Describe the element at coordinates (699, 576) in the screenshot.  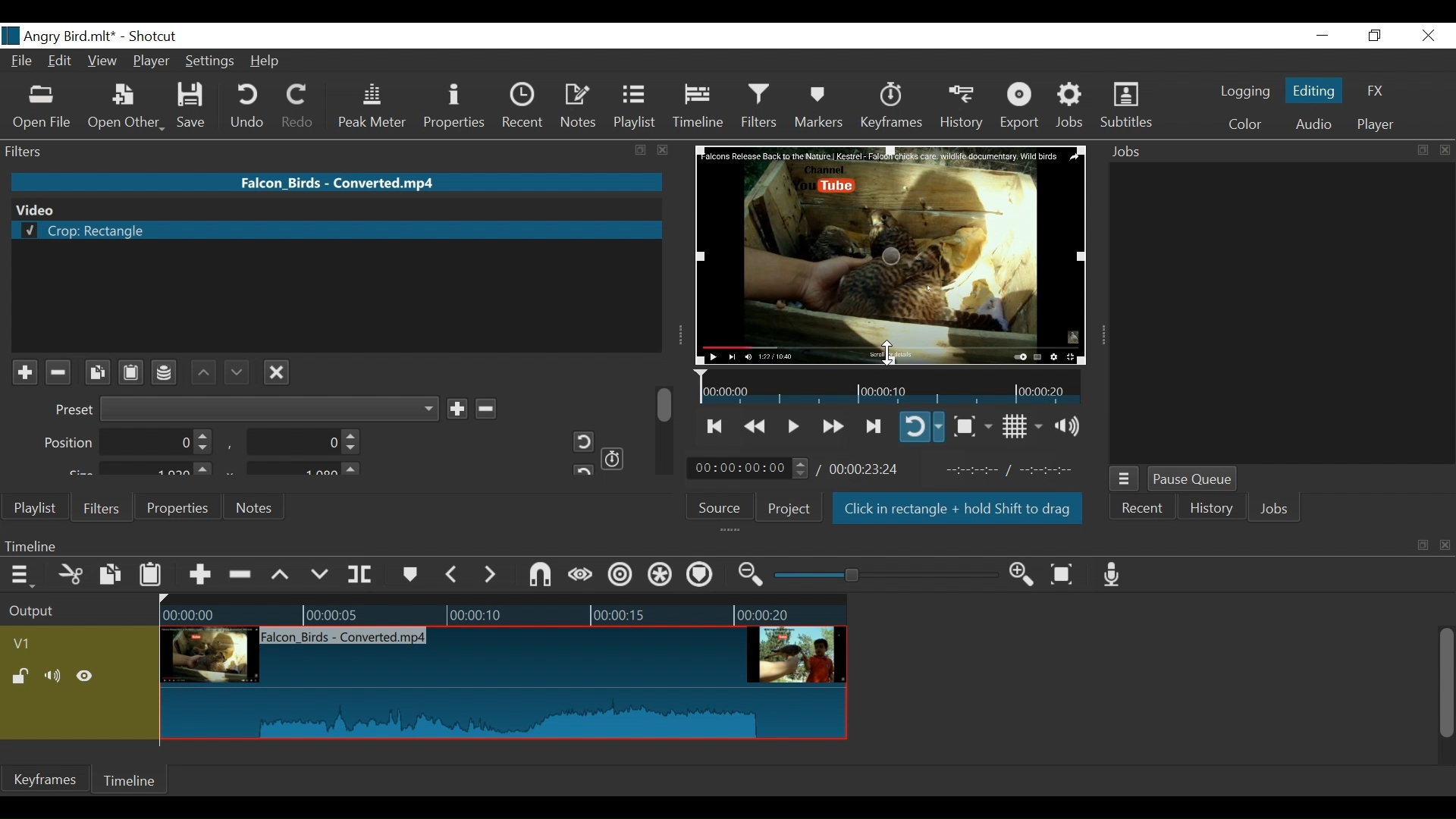
I see `Ripple all tracks` at that location.